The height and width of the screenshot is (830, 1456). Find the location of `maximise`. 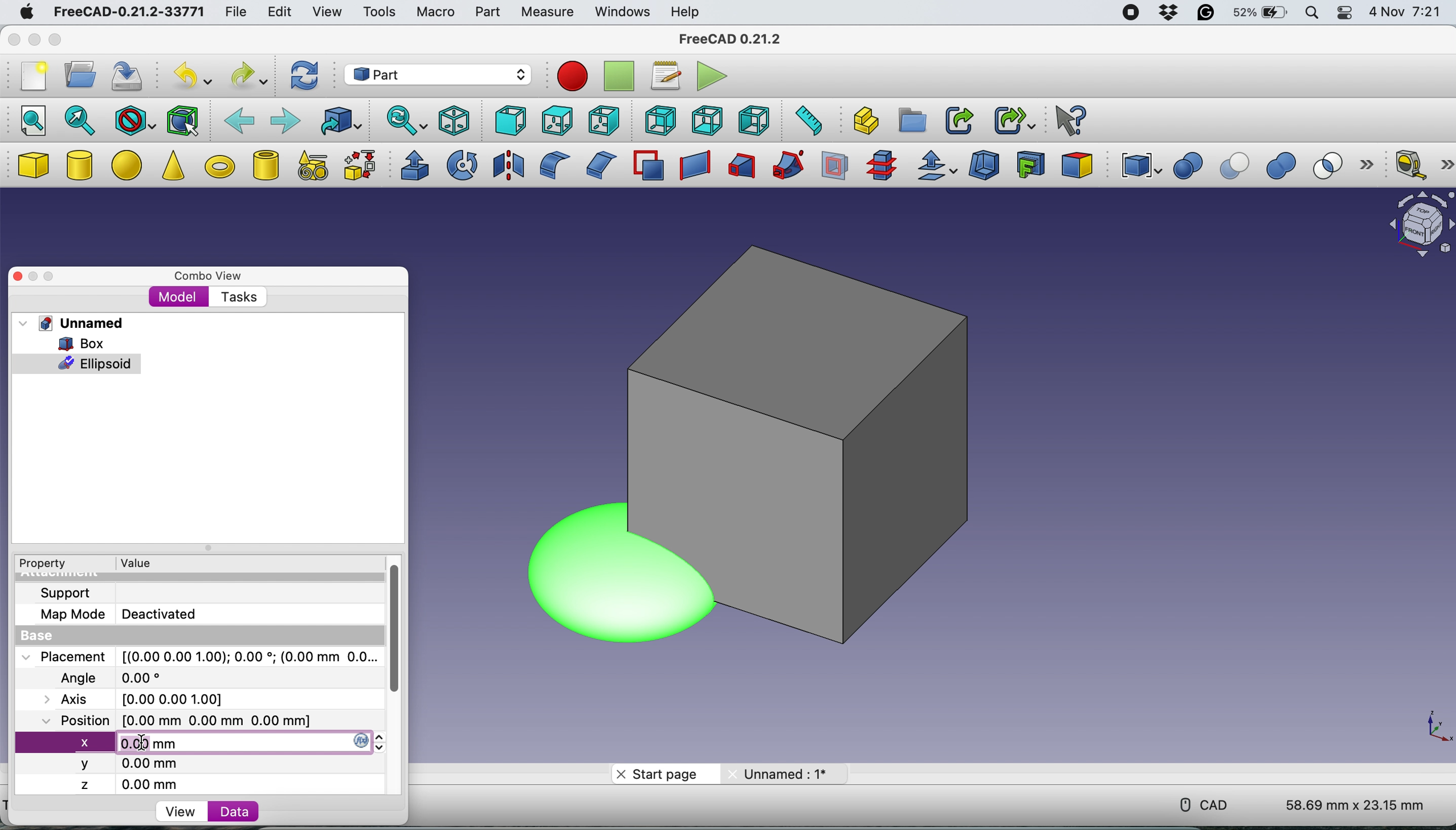

maximise is located at coordinates (55, 40).